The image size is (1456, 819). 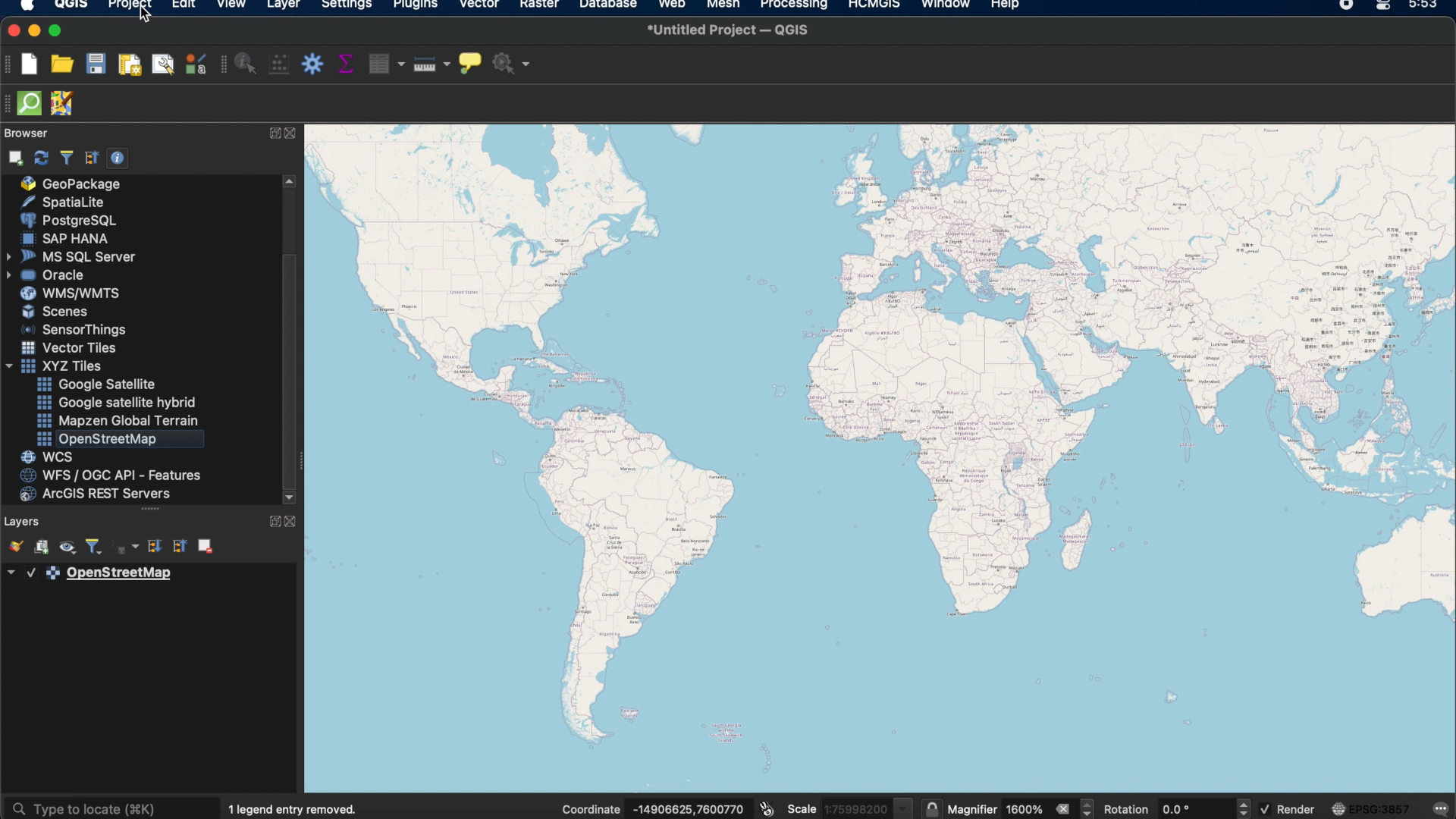 What do you see at coordinates (95, 63) in the screenshot?
I see `save project` at bounding box center [95, 63].